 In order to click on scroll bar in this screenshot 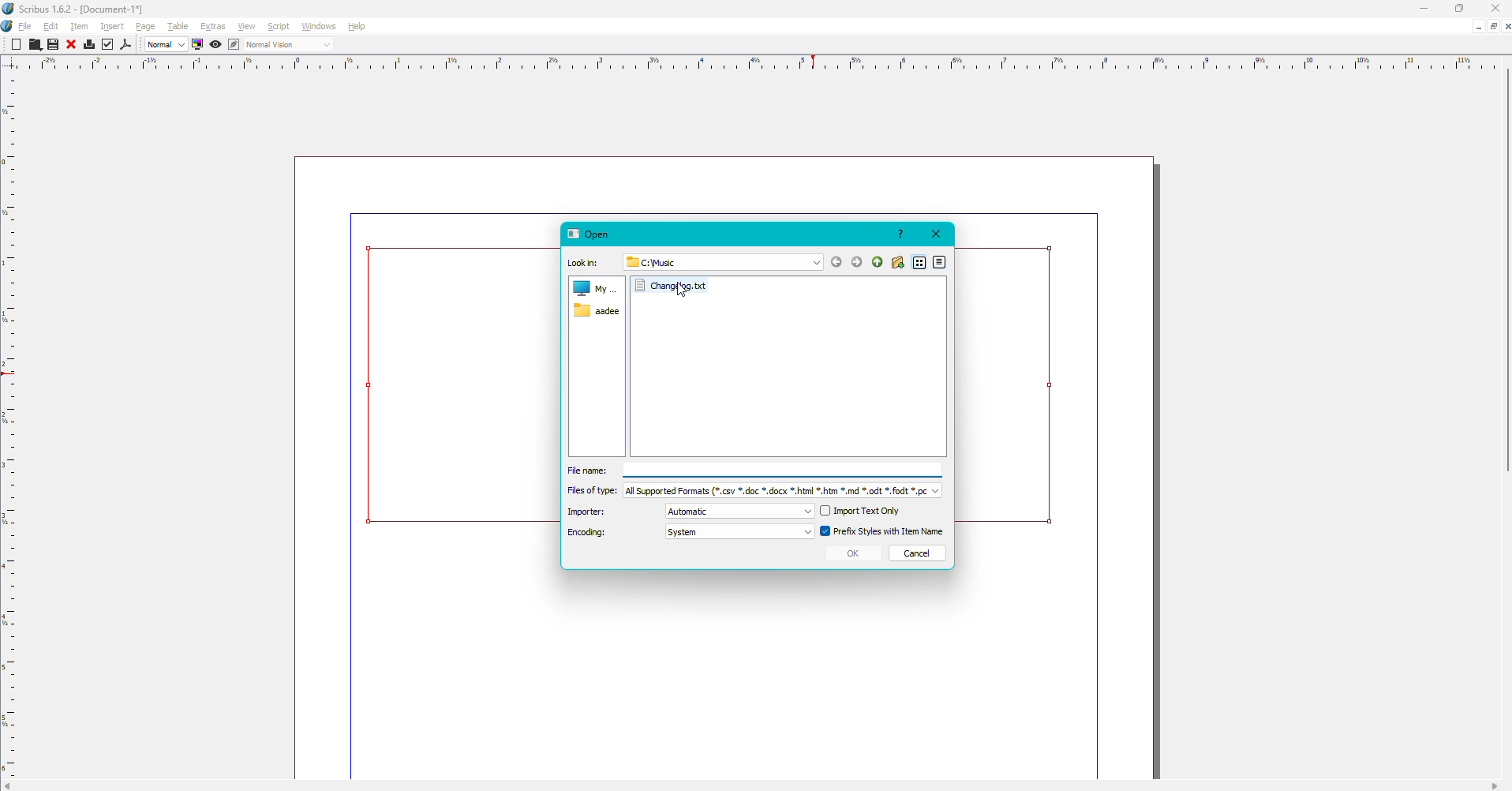, I will do `click(1507, 271)`.